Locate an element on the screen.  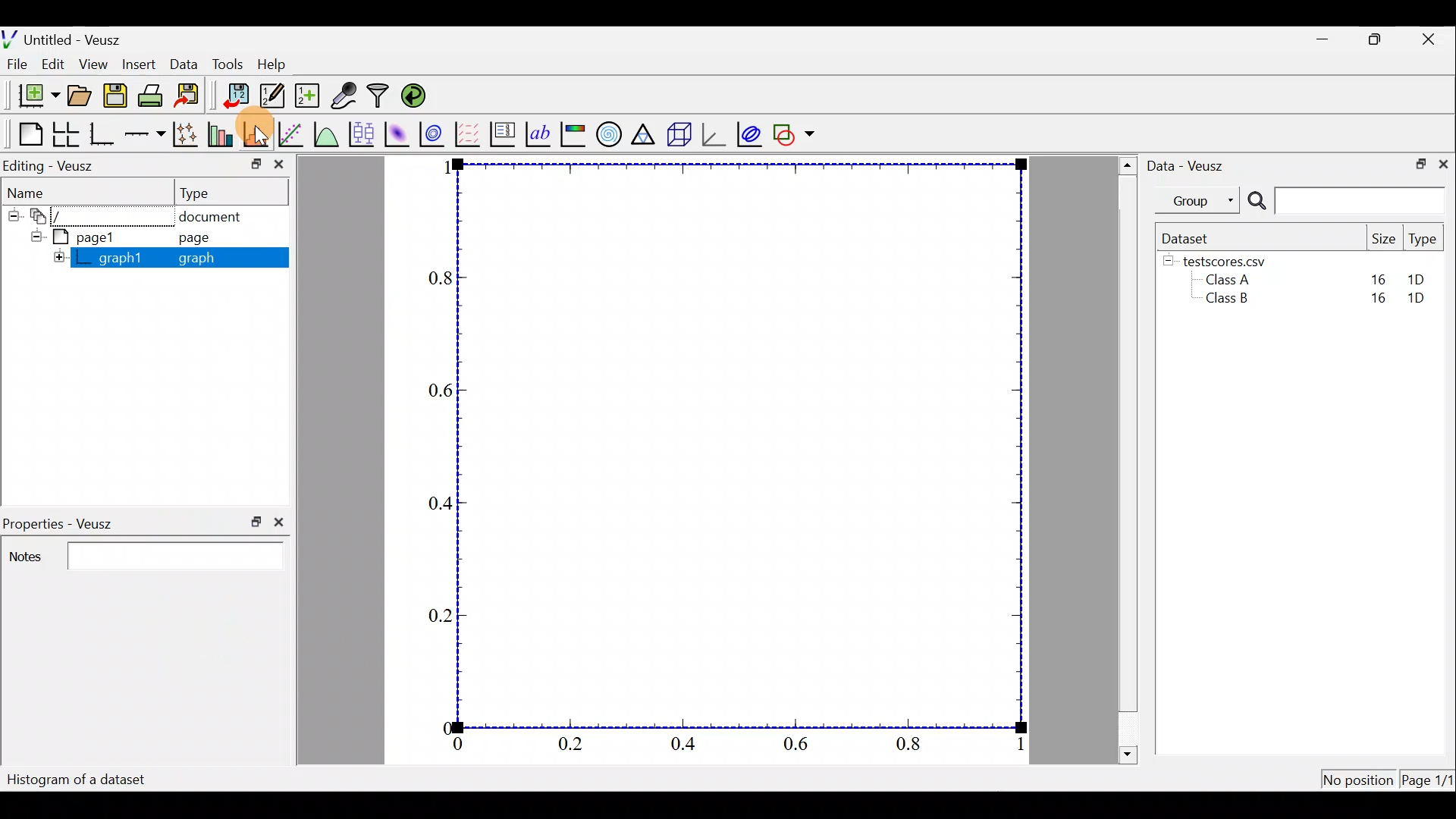
document is located at coordinates (218, 217).